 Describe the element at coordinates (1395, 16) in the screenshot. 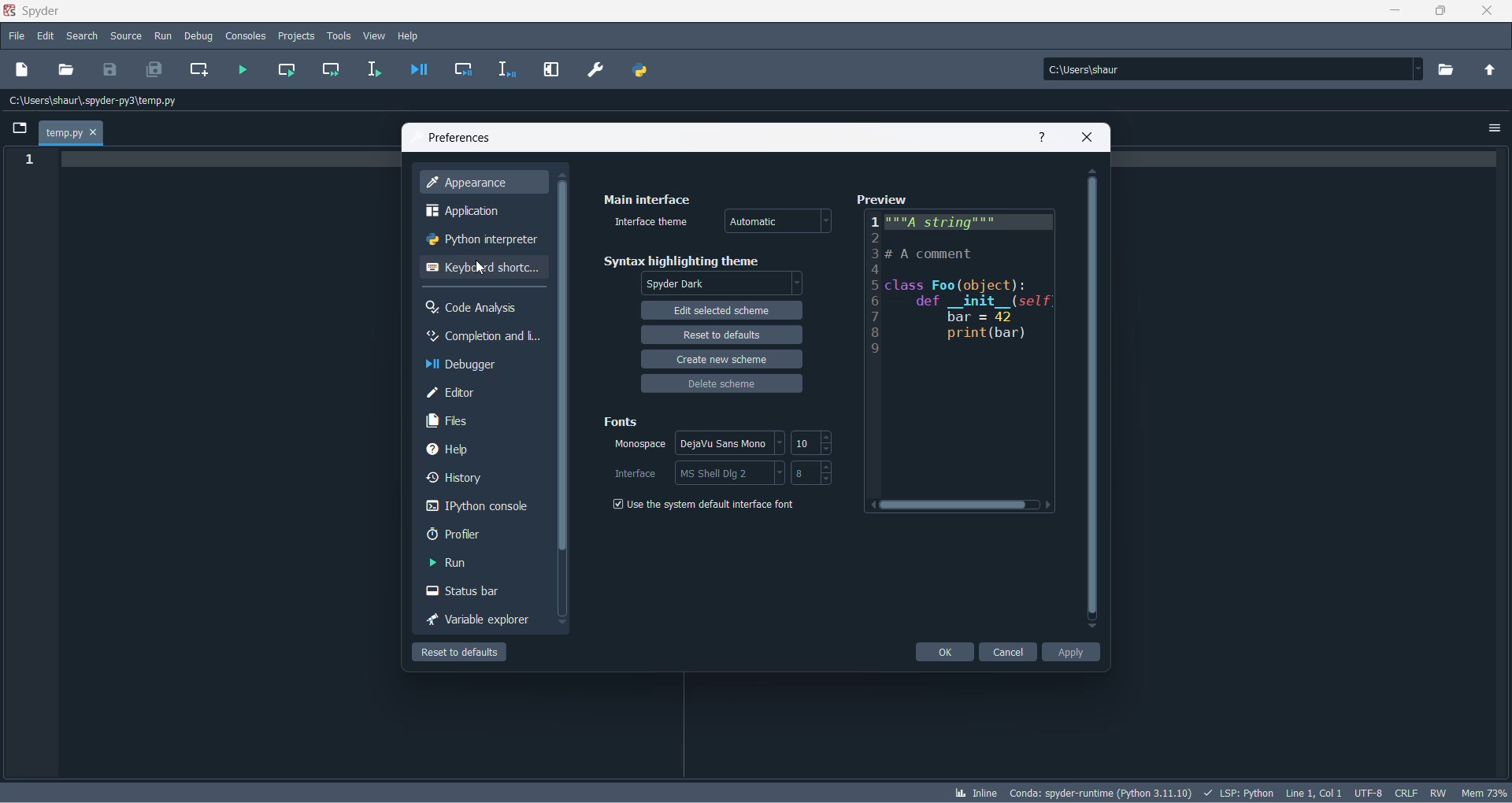

I see `minimize` at that location.